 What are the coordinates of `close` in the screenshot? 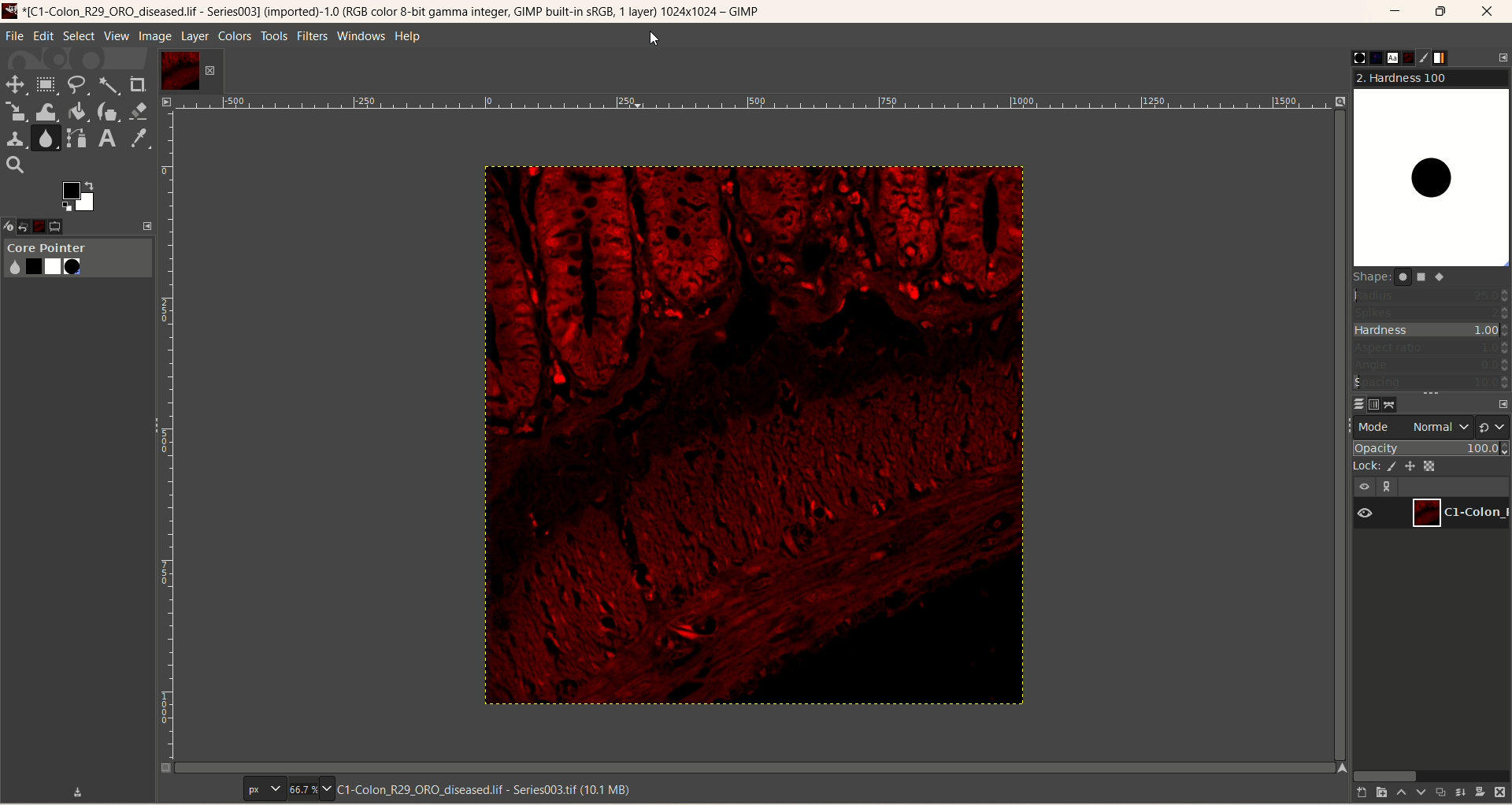 It's located at (1489, 12).